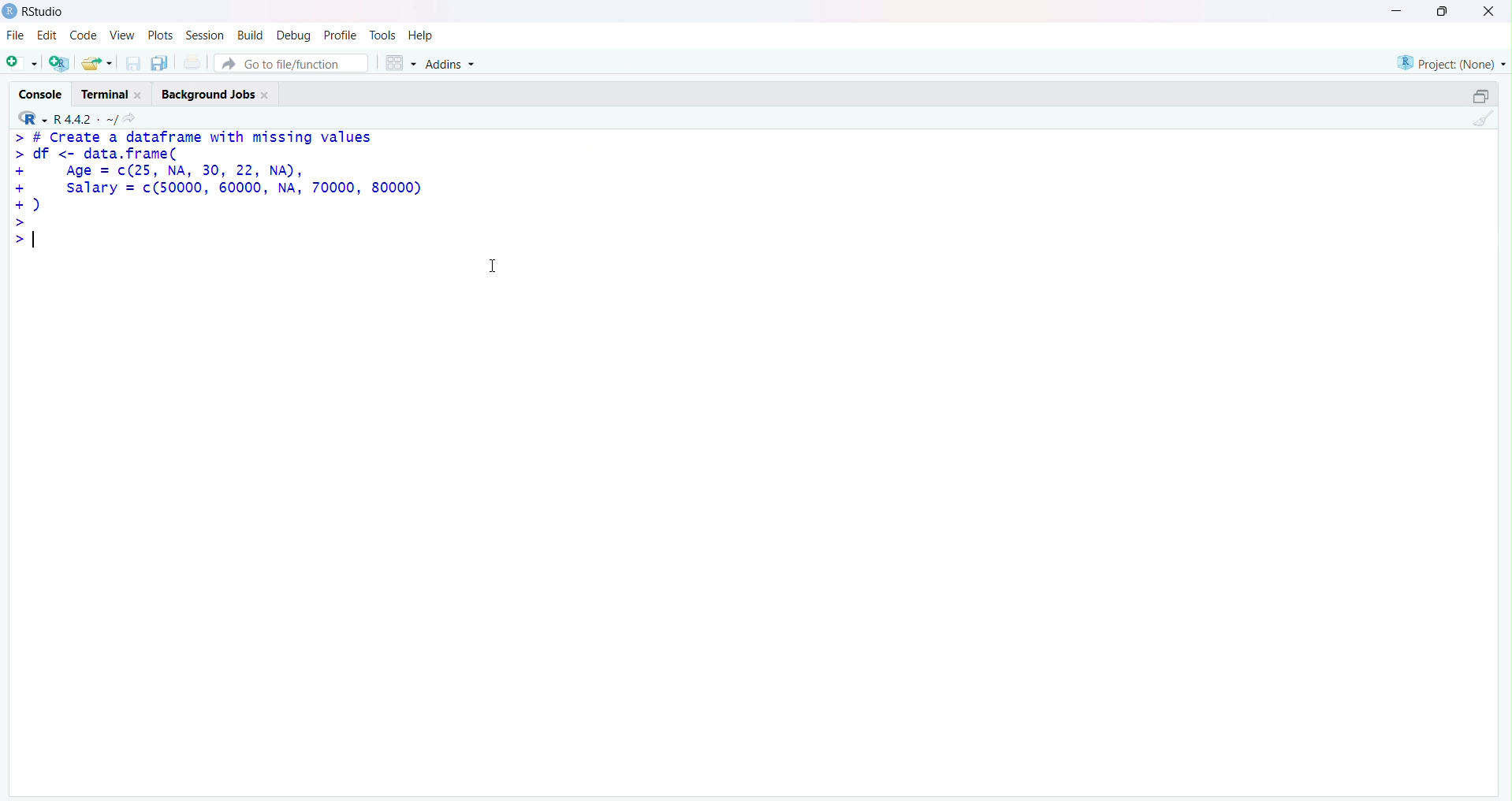  What do you see at coordinates (1451, 64) in the screenshot?
I see `Project (Note)` at bounding box center [1451, 64].